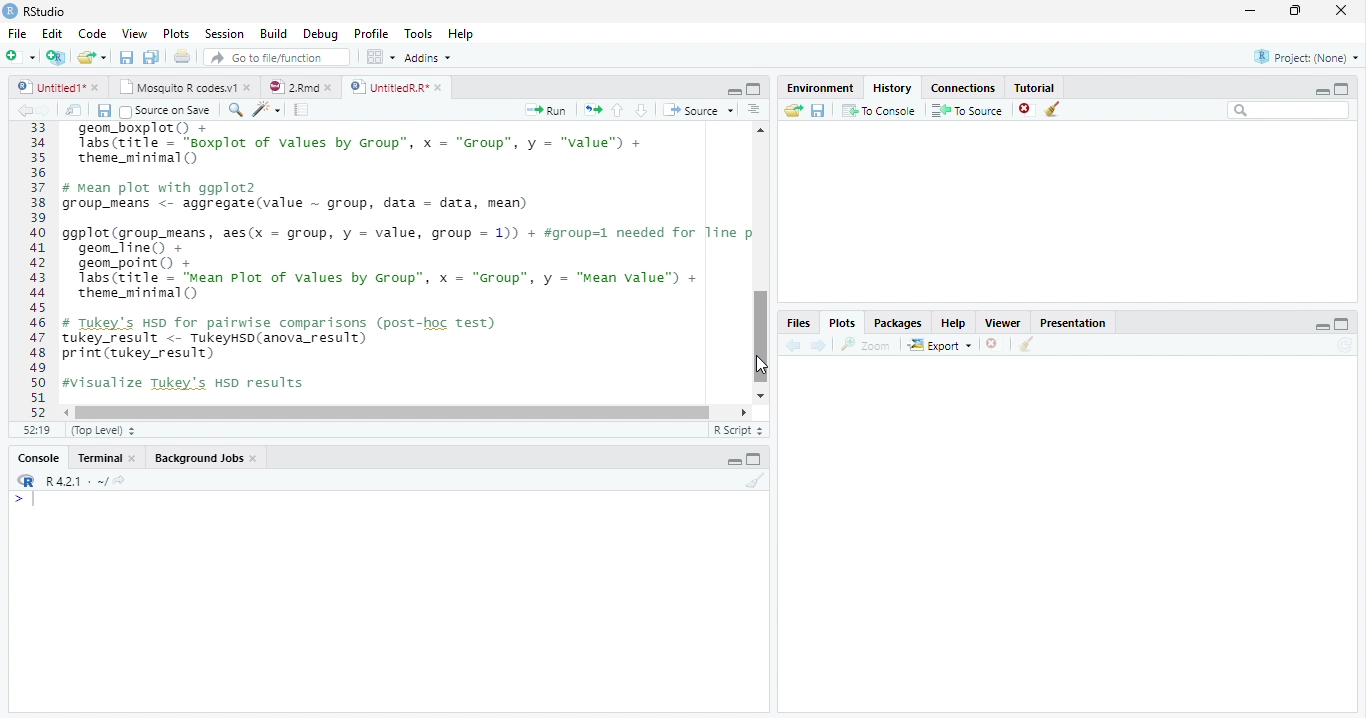 This screenshot has height=718, width=1366. Describe the element at coordinates (819, 346) in the screenshot. I see `Next` at that location.